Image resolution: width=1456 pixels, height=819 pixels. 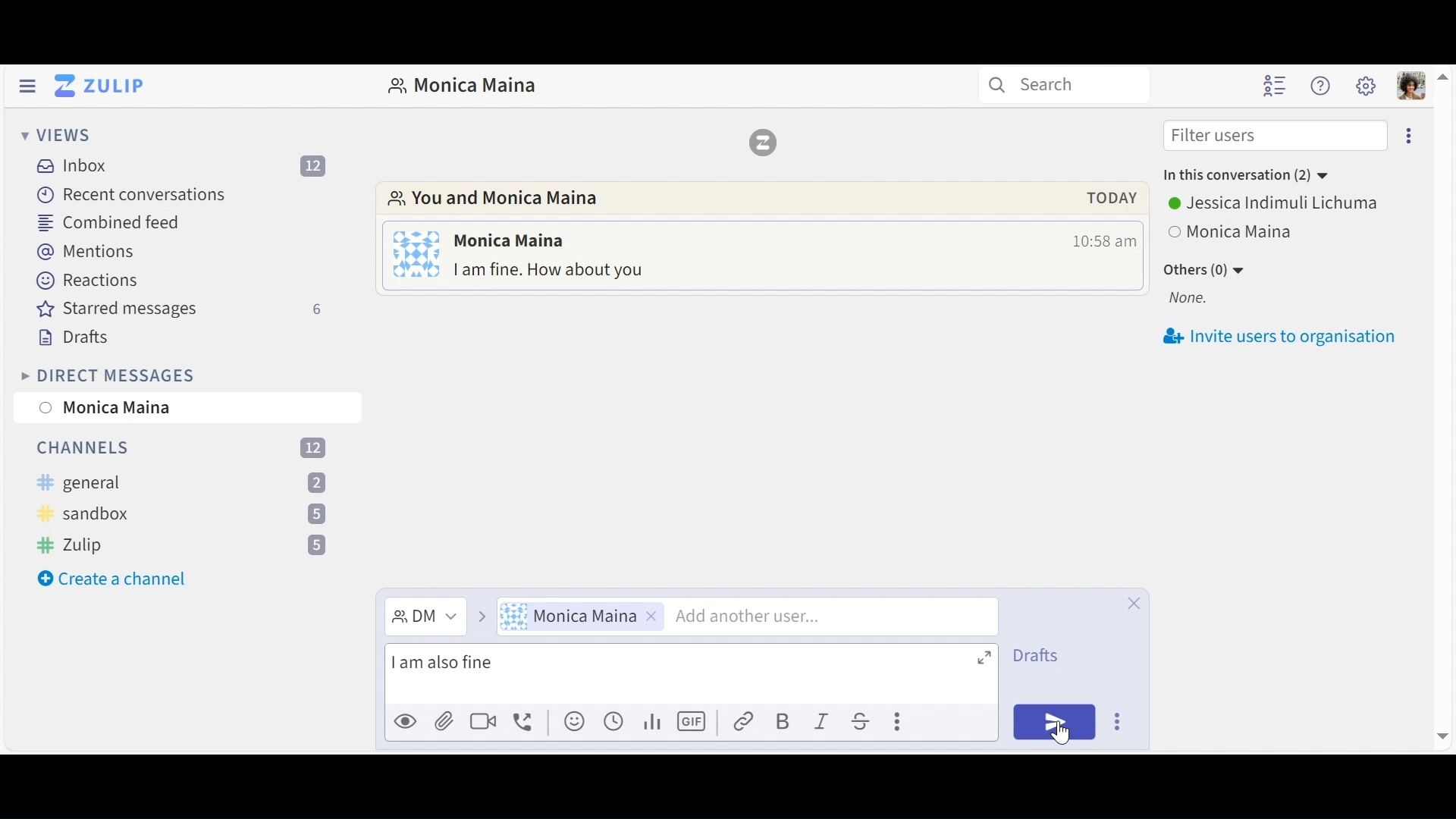 What do you see at coordinates (1019, 202) in the screenshot?
I see `pop up` at bounding box center [1019, 202].